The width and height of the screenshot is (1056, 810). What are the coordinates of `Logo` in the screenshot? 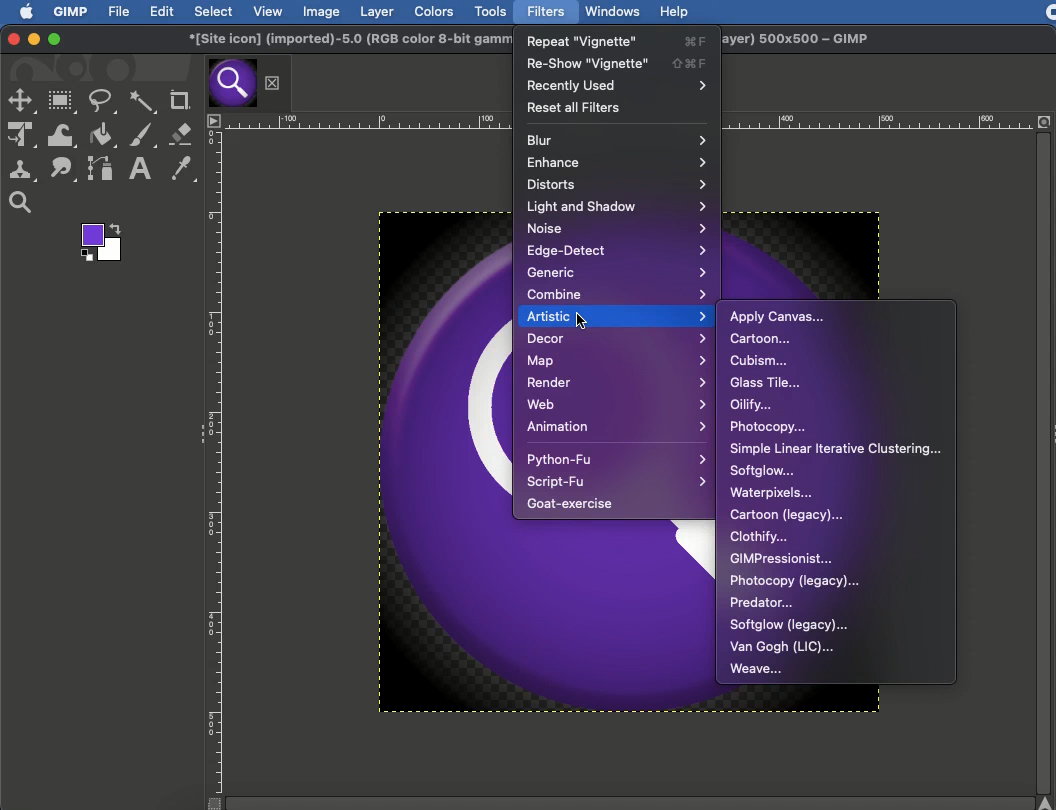 It's located at (20, 11).